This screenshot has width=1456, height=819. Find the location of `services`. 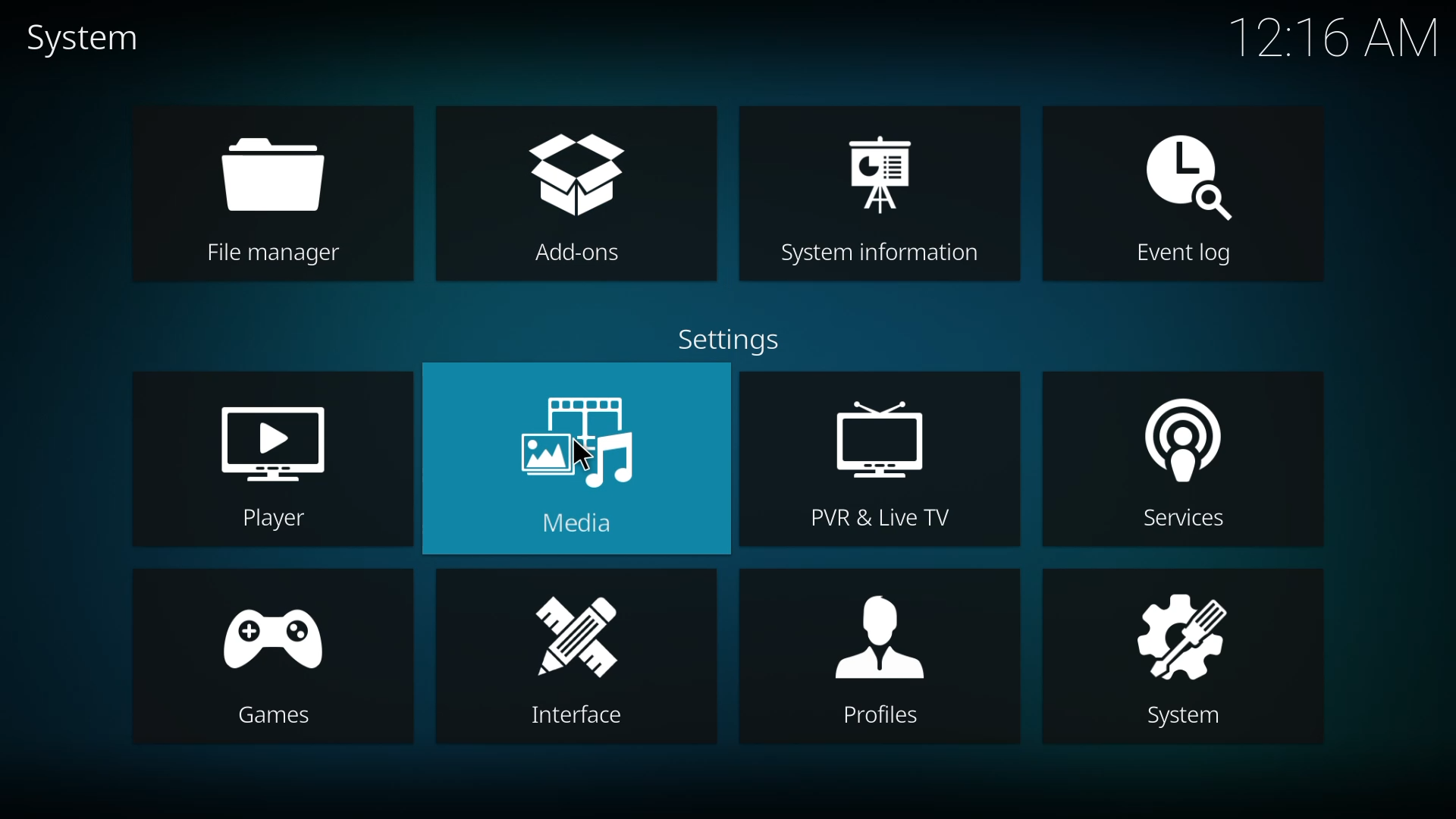

services is located at coordinates (1191, 442).